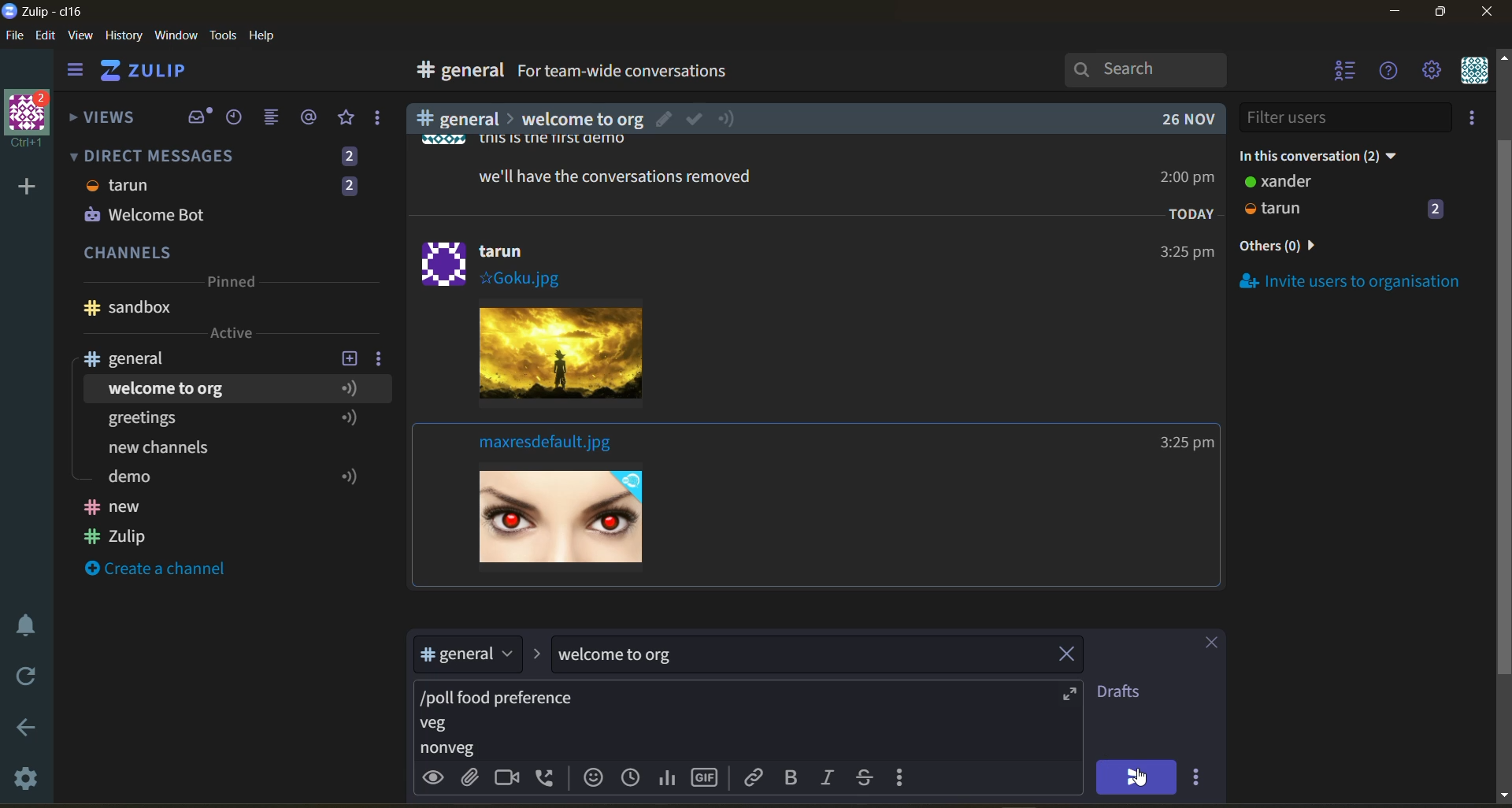  I want to click on app name and organisation name, so click(43, 12).